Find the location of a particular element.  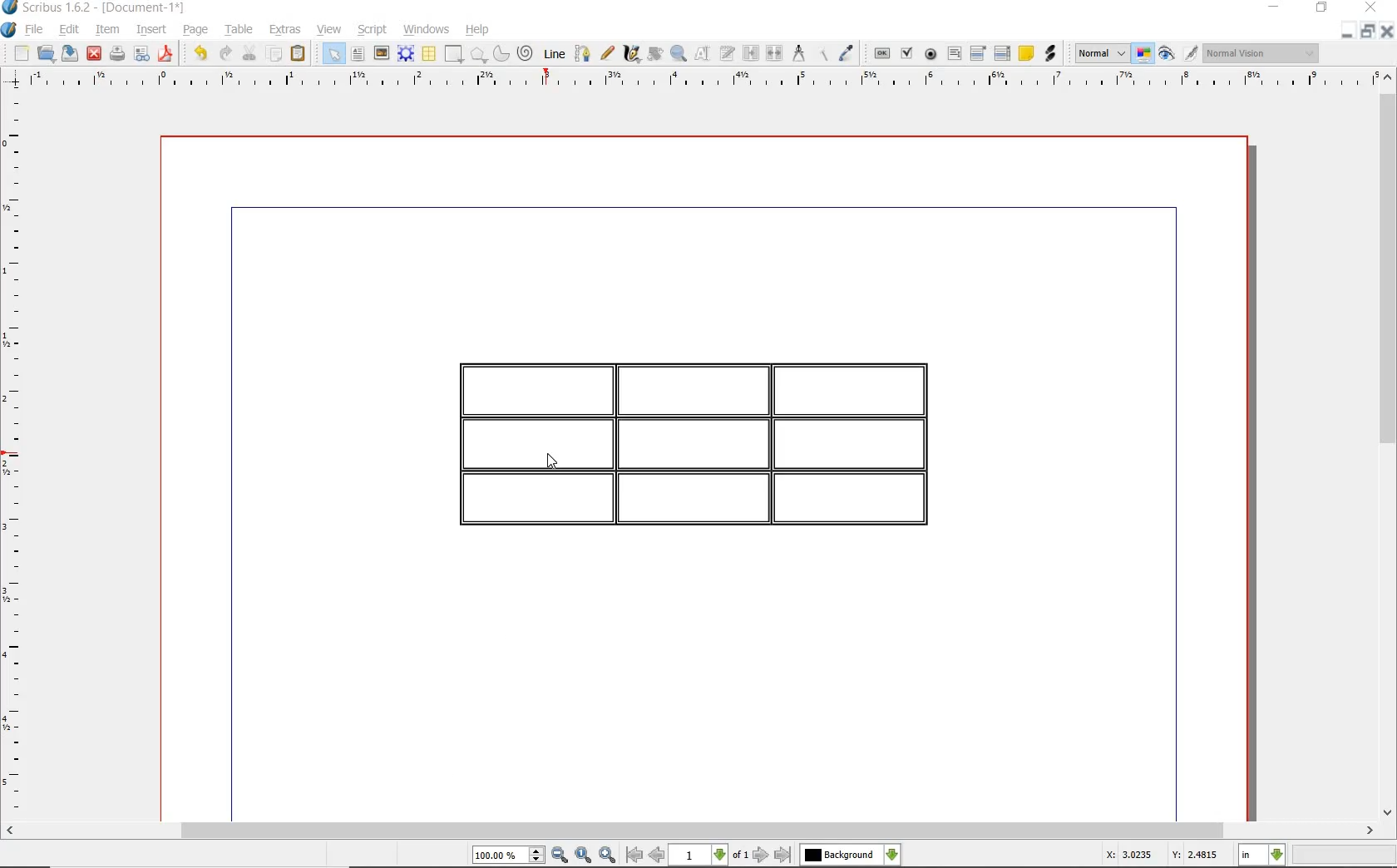

CLOSE is located at coordinates (1389, 30).